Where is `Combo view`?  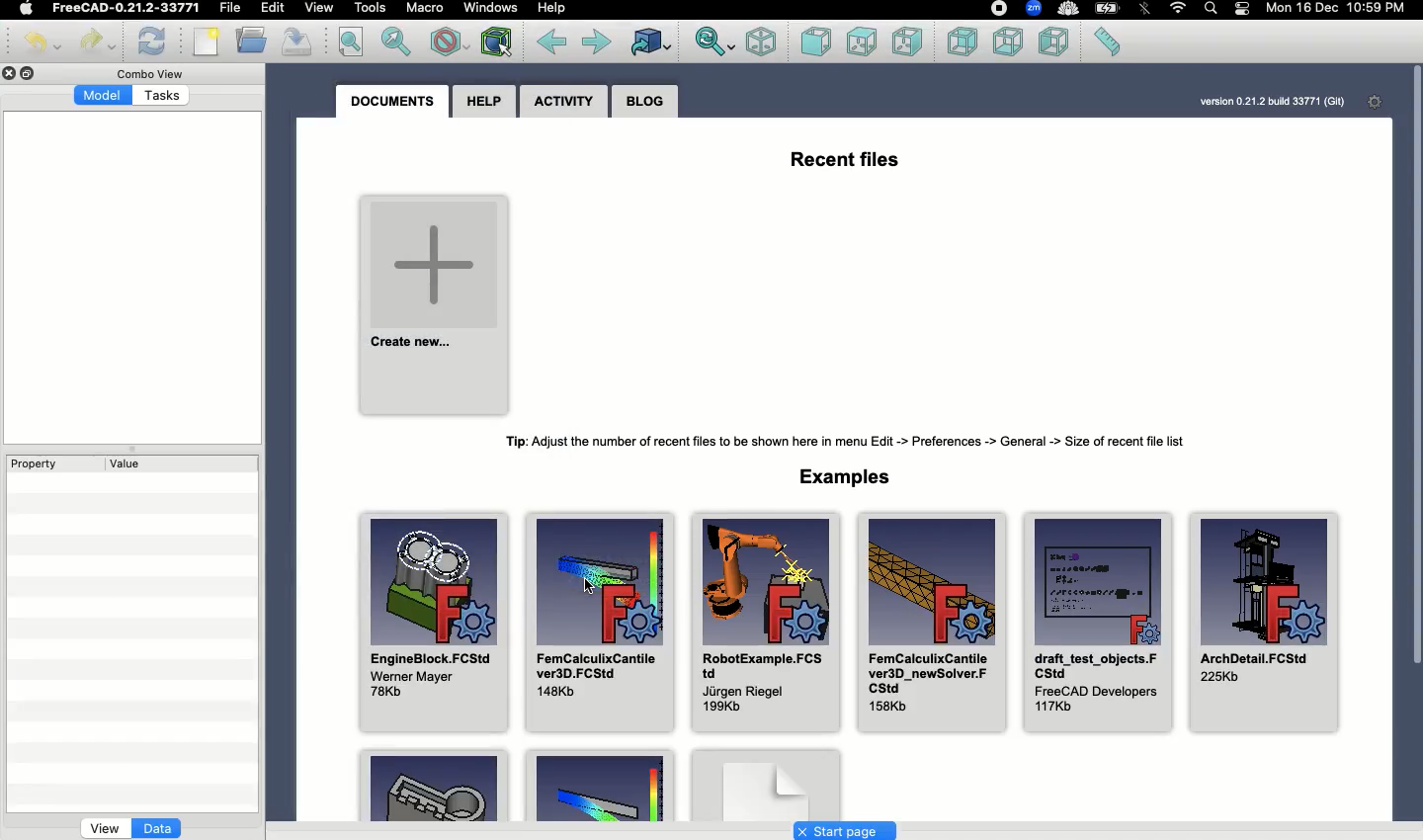 Combo view is located at coordinates (156, 73).